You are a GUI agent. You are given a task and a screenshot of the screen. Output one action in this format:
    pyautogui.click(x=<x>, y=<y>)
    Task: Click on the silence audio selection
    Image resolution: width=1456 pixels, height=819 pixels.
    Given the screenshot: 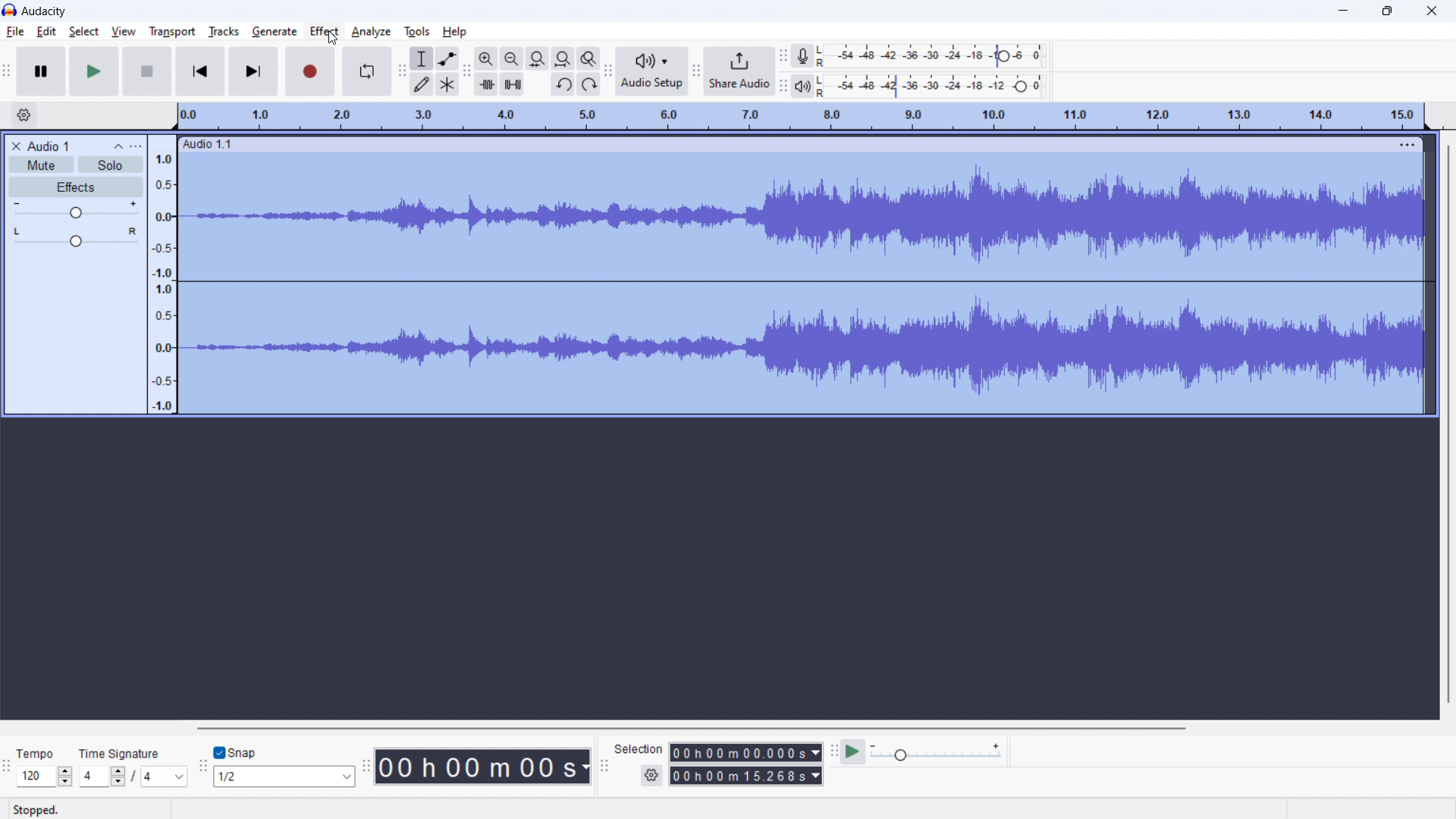 What is the action you would take?
    pyautogui.click(x=512, y=84)
    